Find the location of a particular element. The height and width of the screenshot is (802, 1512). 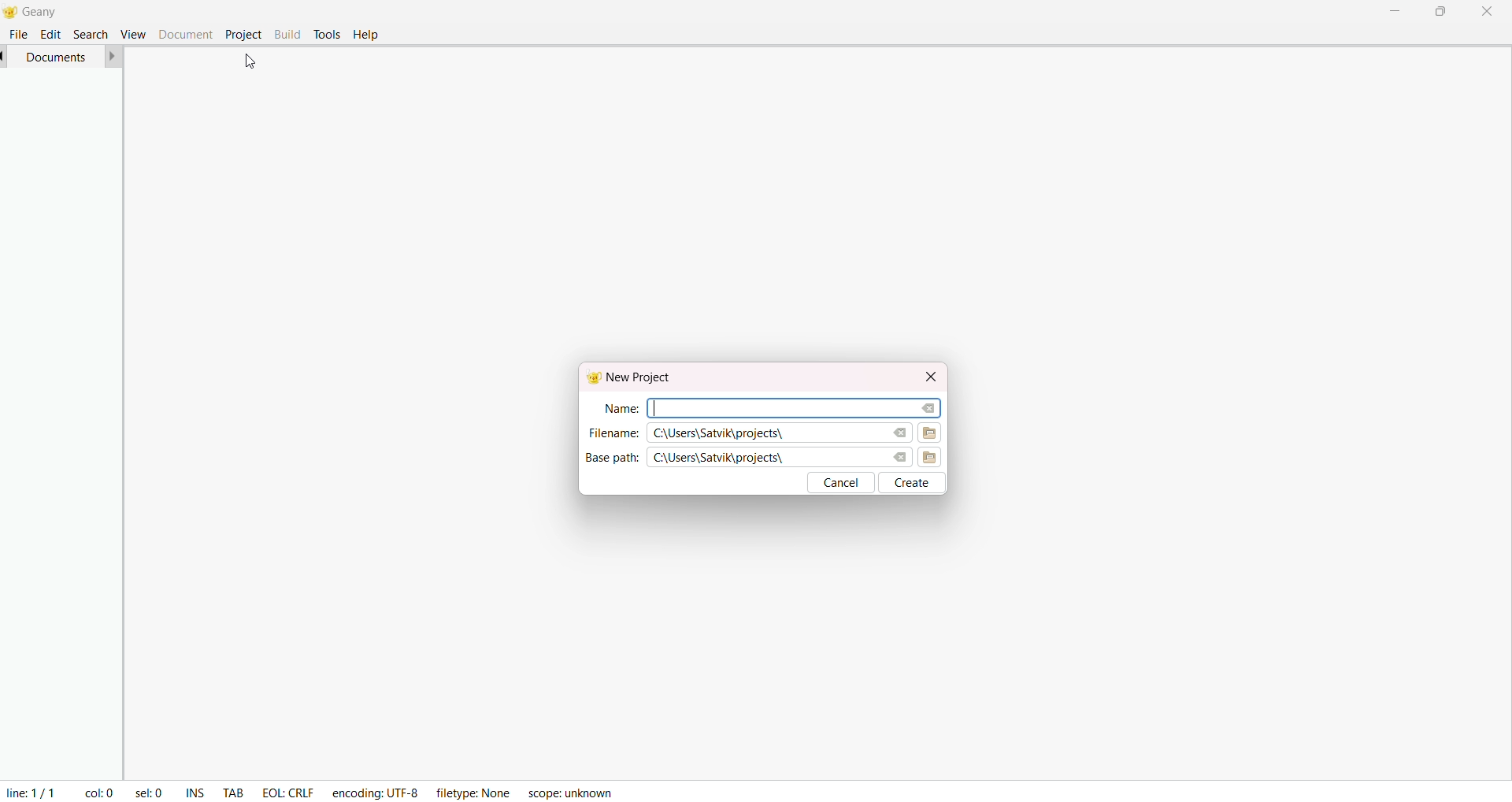

project is located at coordinates (243, 34).